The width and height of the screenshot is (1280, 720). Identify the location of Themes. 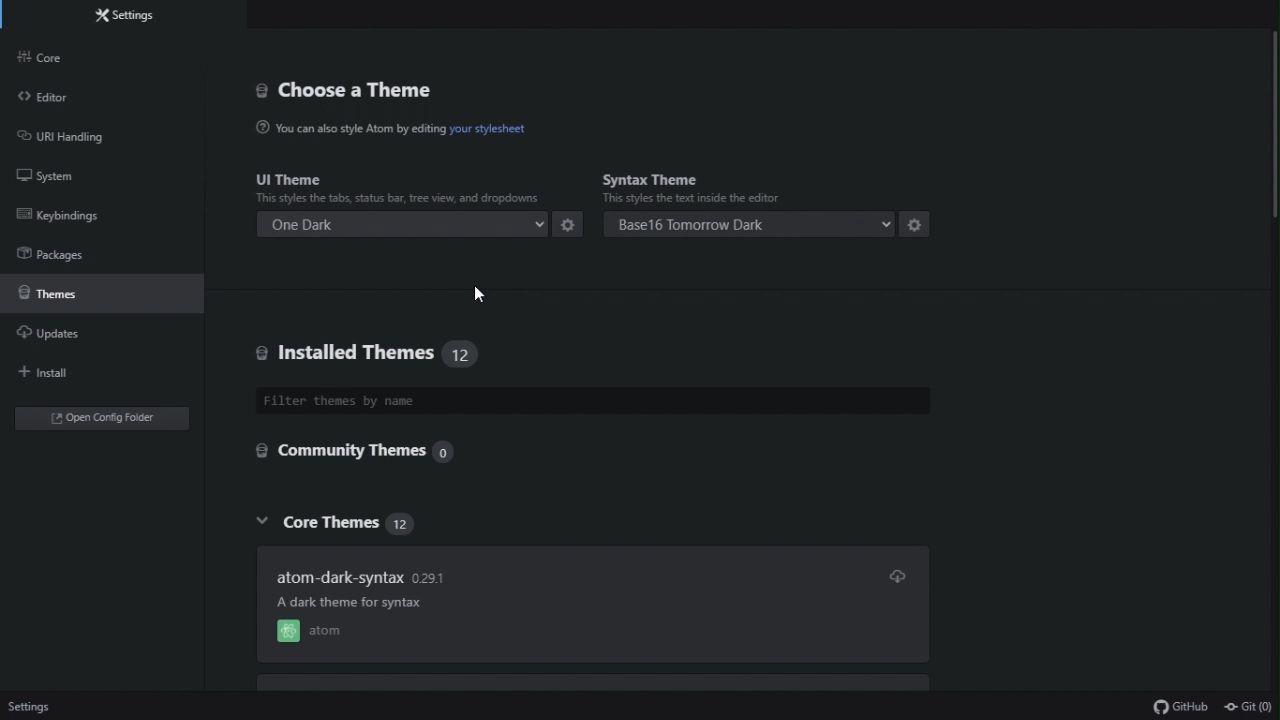
(99, 291).